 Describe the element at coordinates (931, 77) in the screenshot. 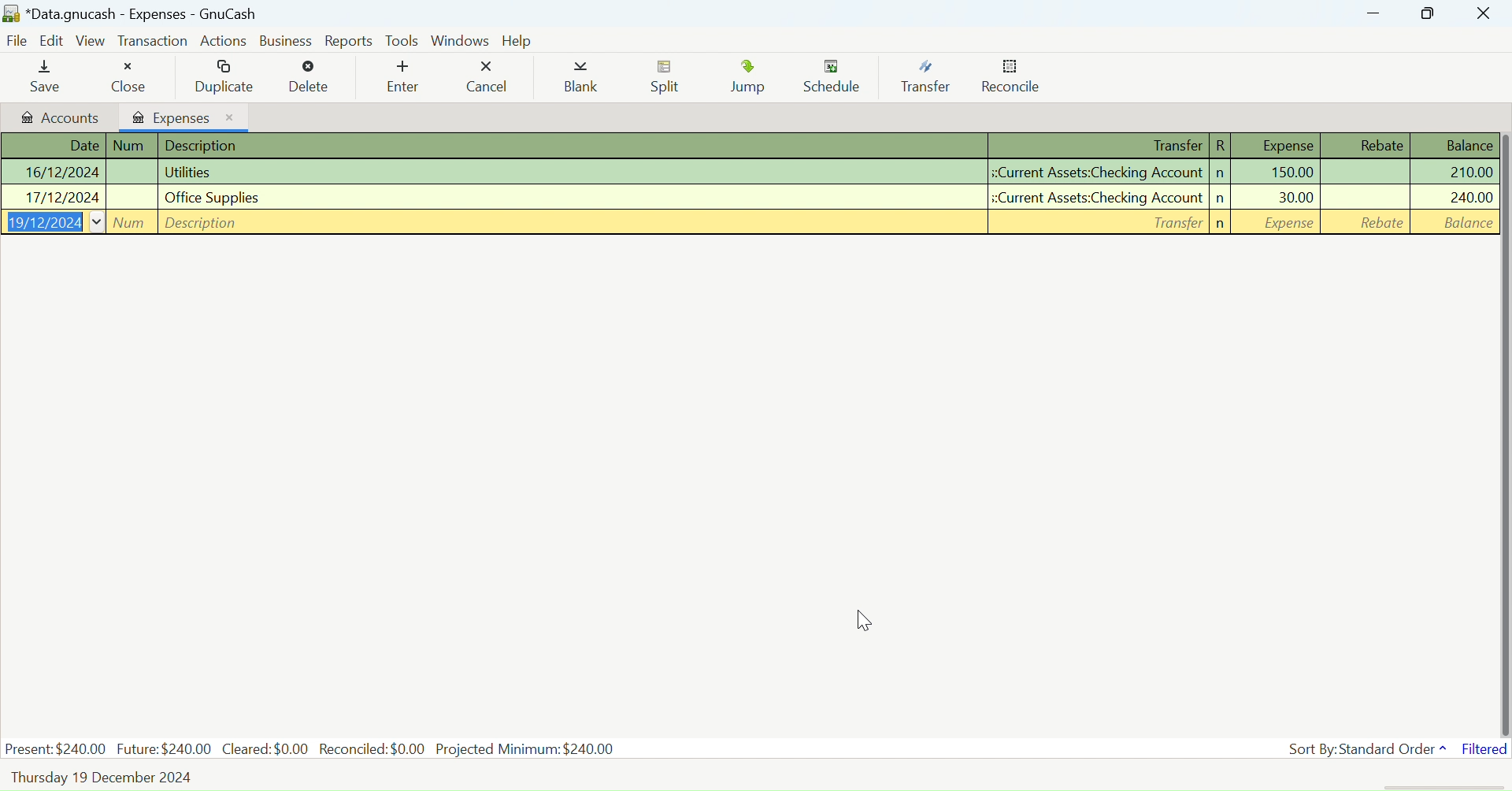

I see `Transfer` at that location.